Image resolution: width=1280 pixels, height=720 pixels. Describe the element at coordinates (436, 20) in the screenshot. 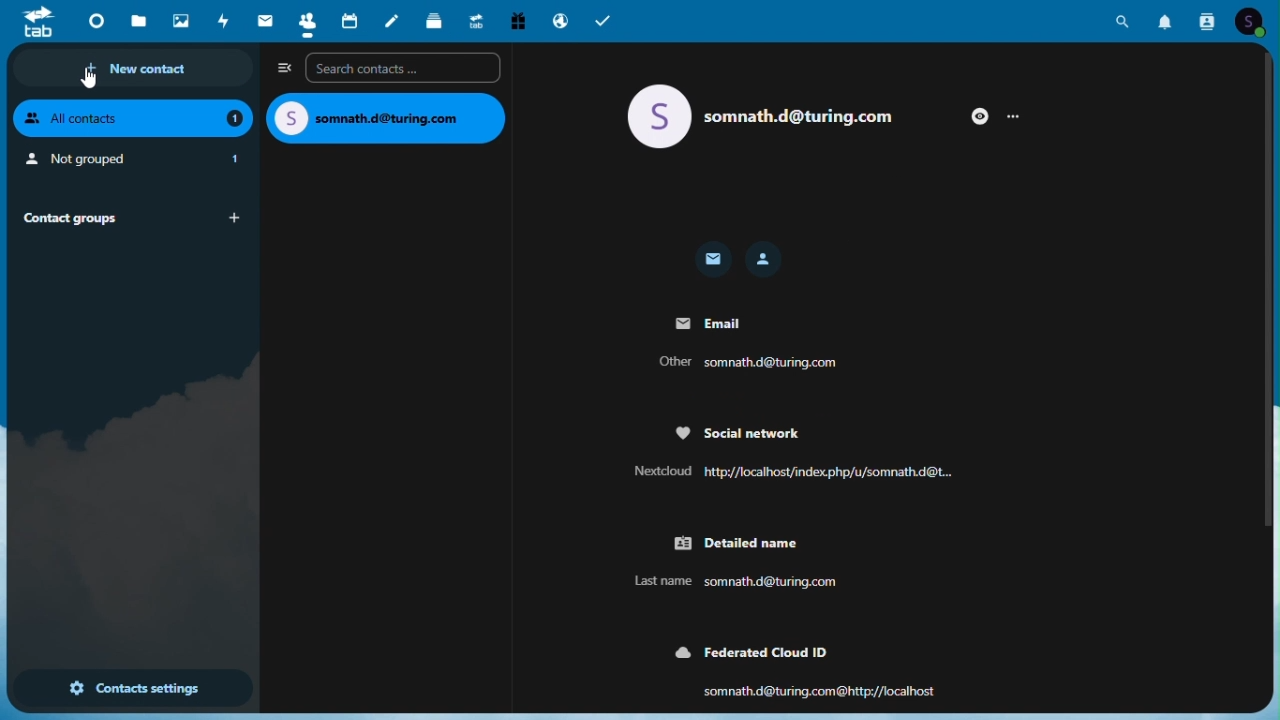

I see `Deck` at that location.